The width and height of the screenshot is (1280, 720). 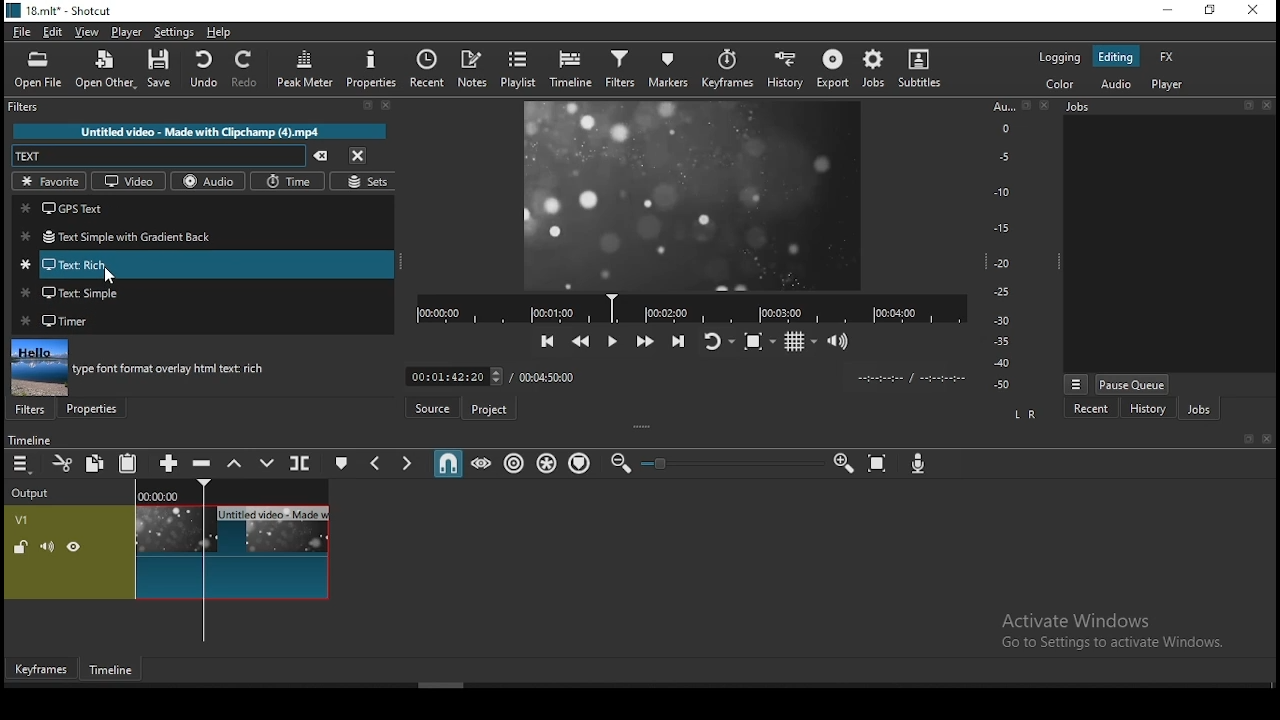 I want to click on save, so click(x=159, y=68).